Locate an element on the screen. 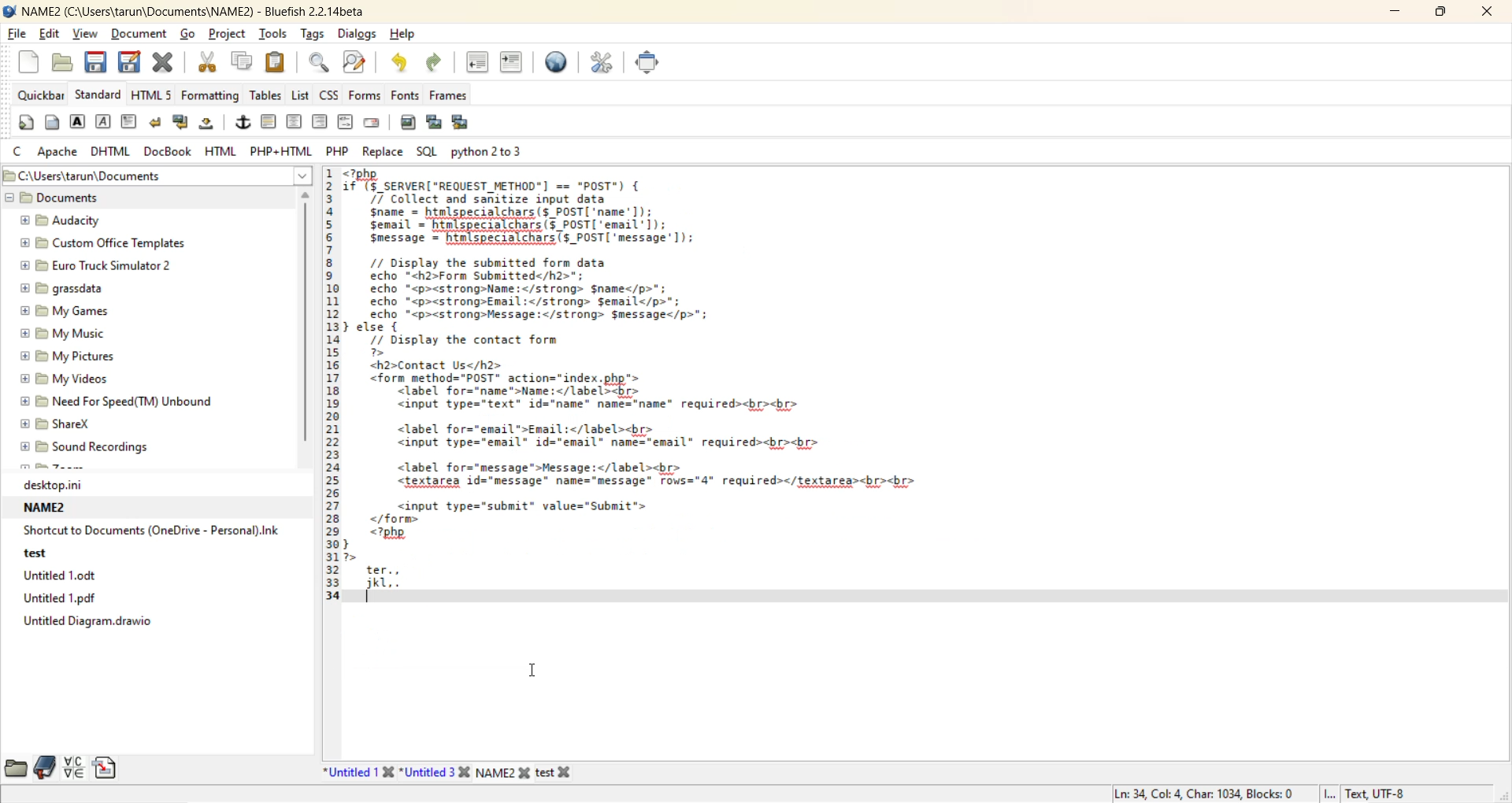  copy is located at coordinates (244, 61).